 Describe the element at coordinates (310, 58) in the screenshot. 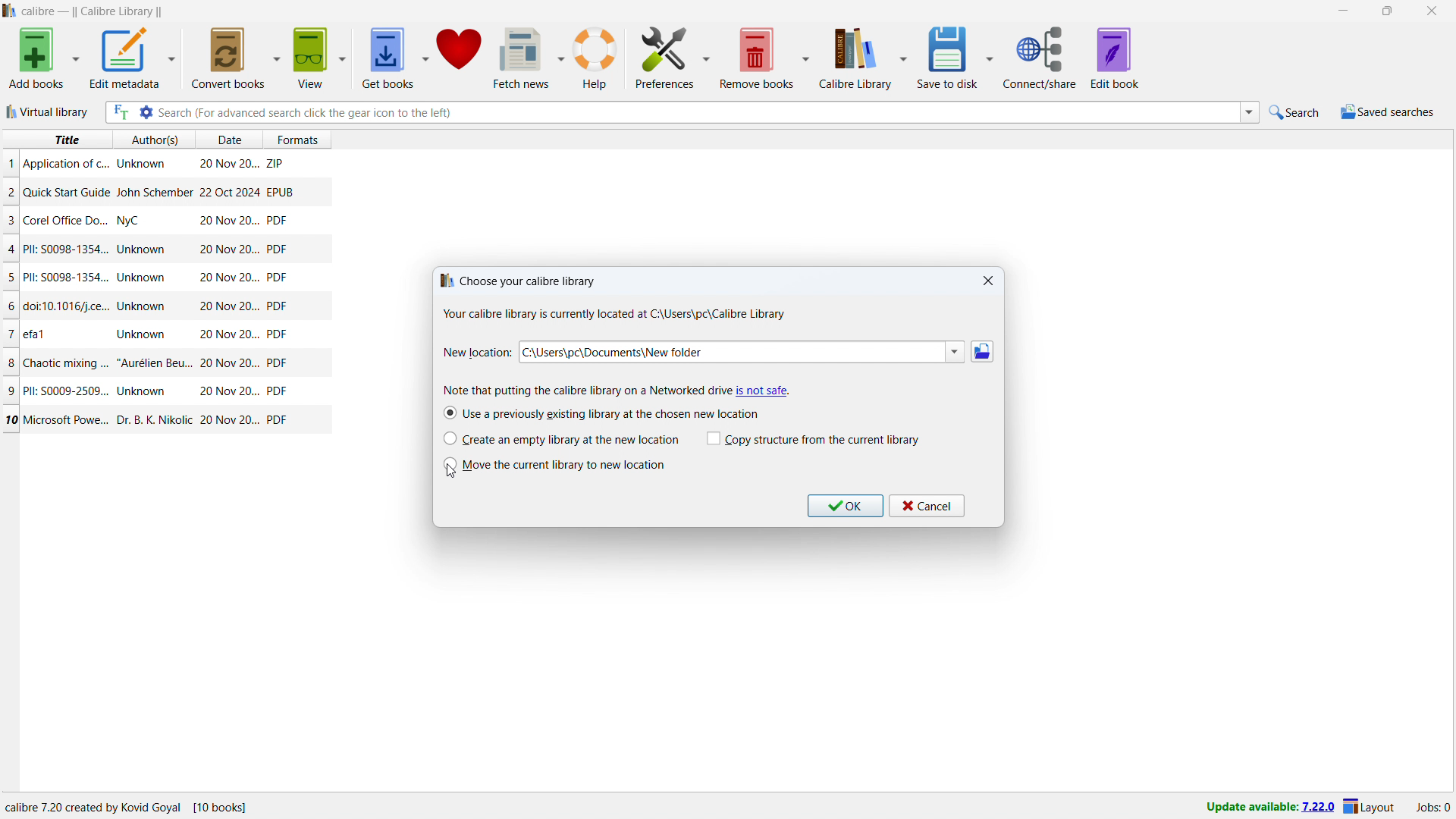

I see `view` at that location.